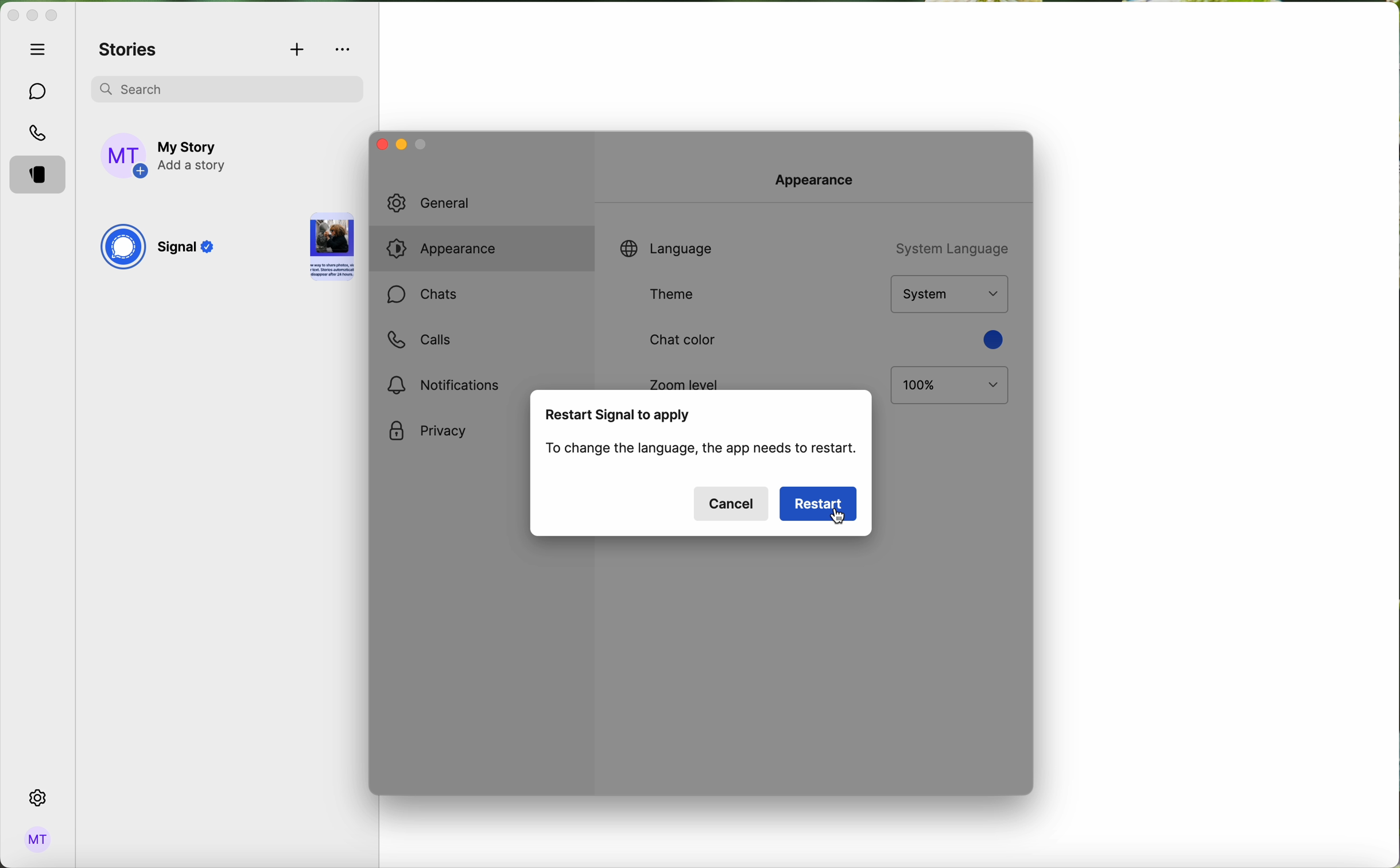 This screenshot has width=1400, height=868. What do you see at coordinates (379, 144) in the screenshot?
I see `close window` at bounding box center [379, 144].